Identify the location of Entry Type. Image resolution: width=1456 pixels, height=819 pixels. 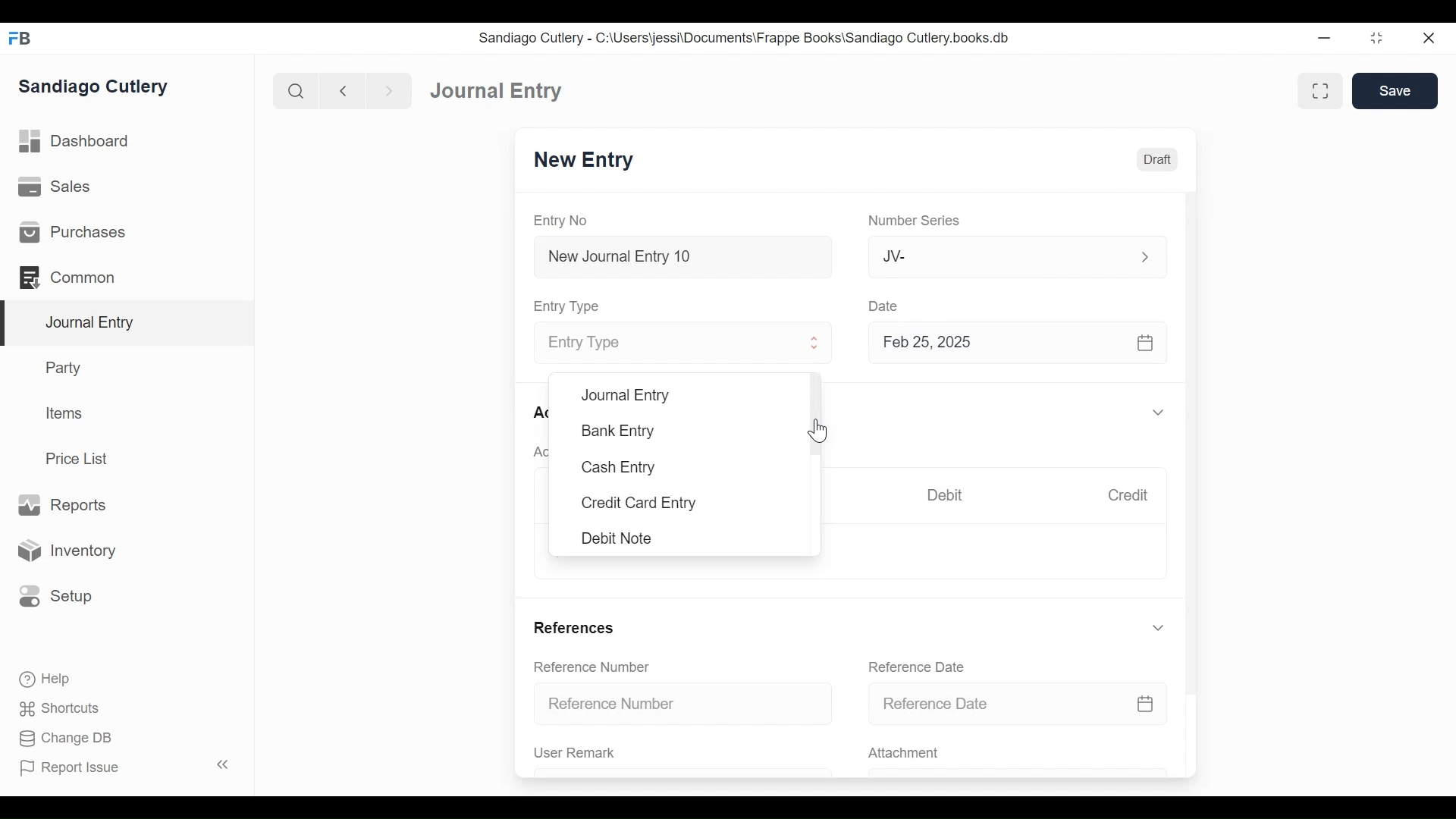
(571, 306).